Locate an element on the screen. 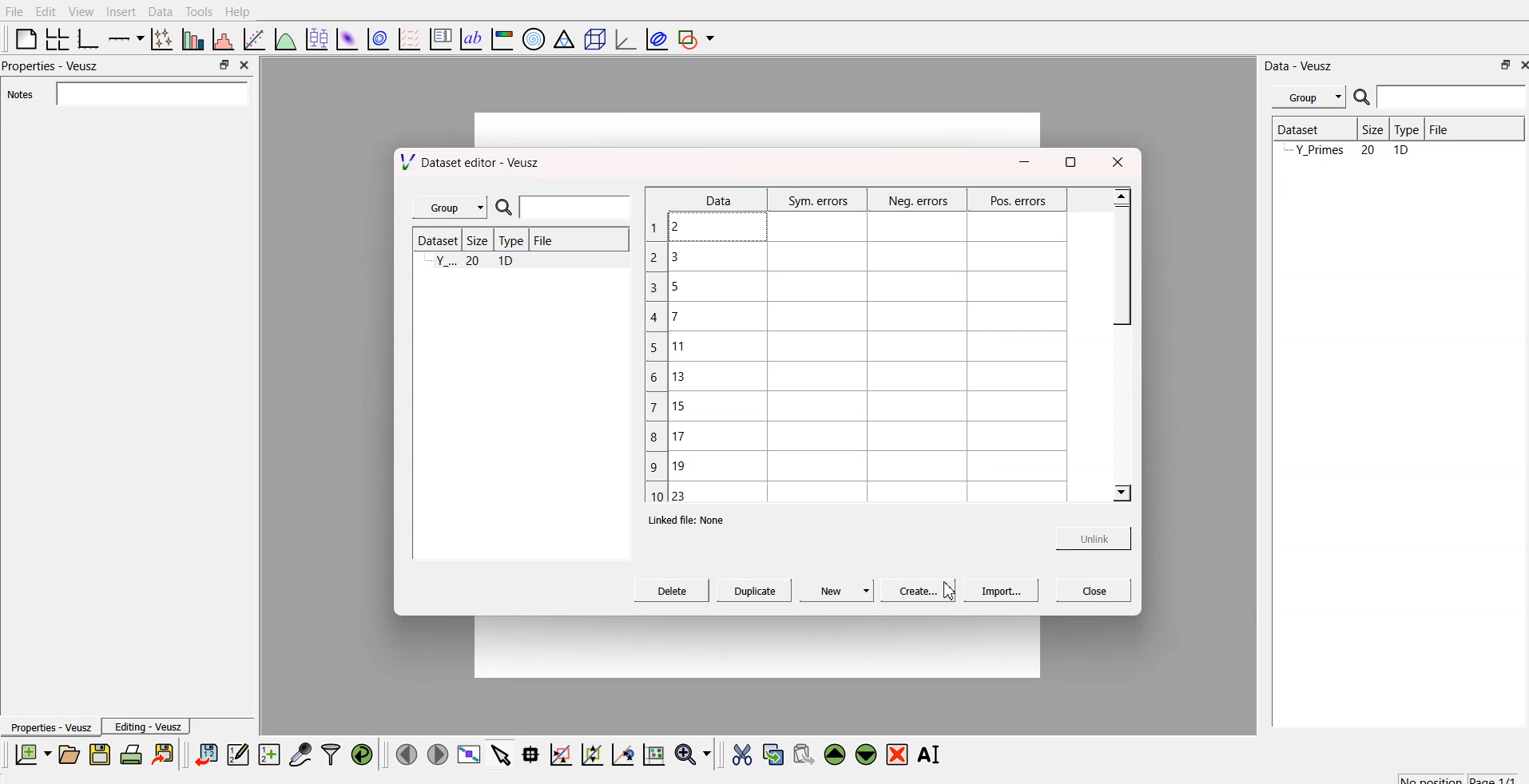 The height and width of the screenshot is (784, 1529). Import... is located at coordinates (997, 592).